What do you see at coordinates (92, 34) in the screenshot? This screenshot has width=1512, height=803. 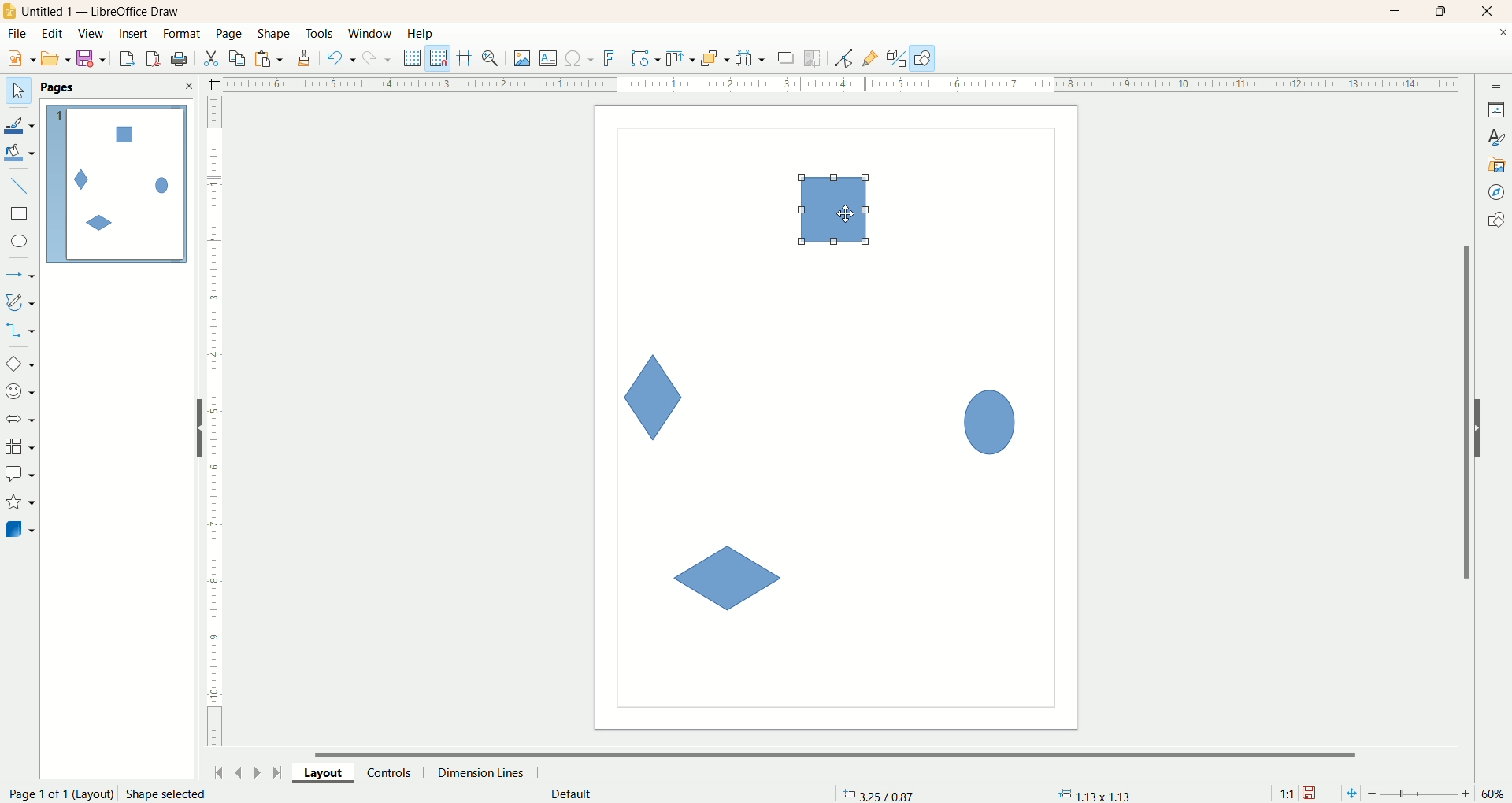 I see `view` at bounding box center [92, 34].